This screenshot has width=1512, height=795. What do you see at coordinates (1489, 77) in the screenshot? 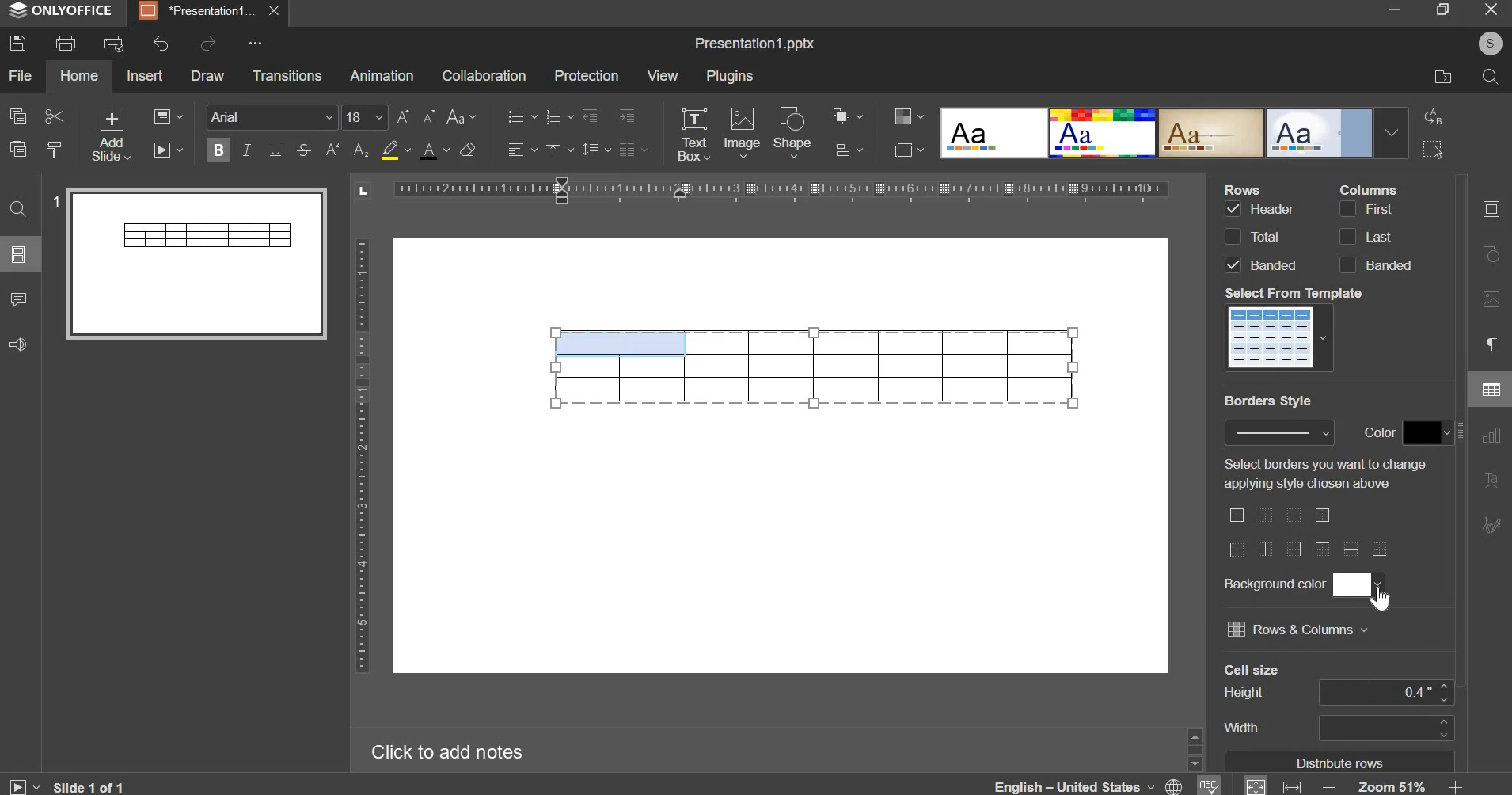
I see `search` at bounding box center [1489, 77].